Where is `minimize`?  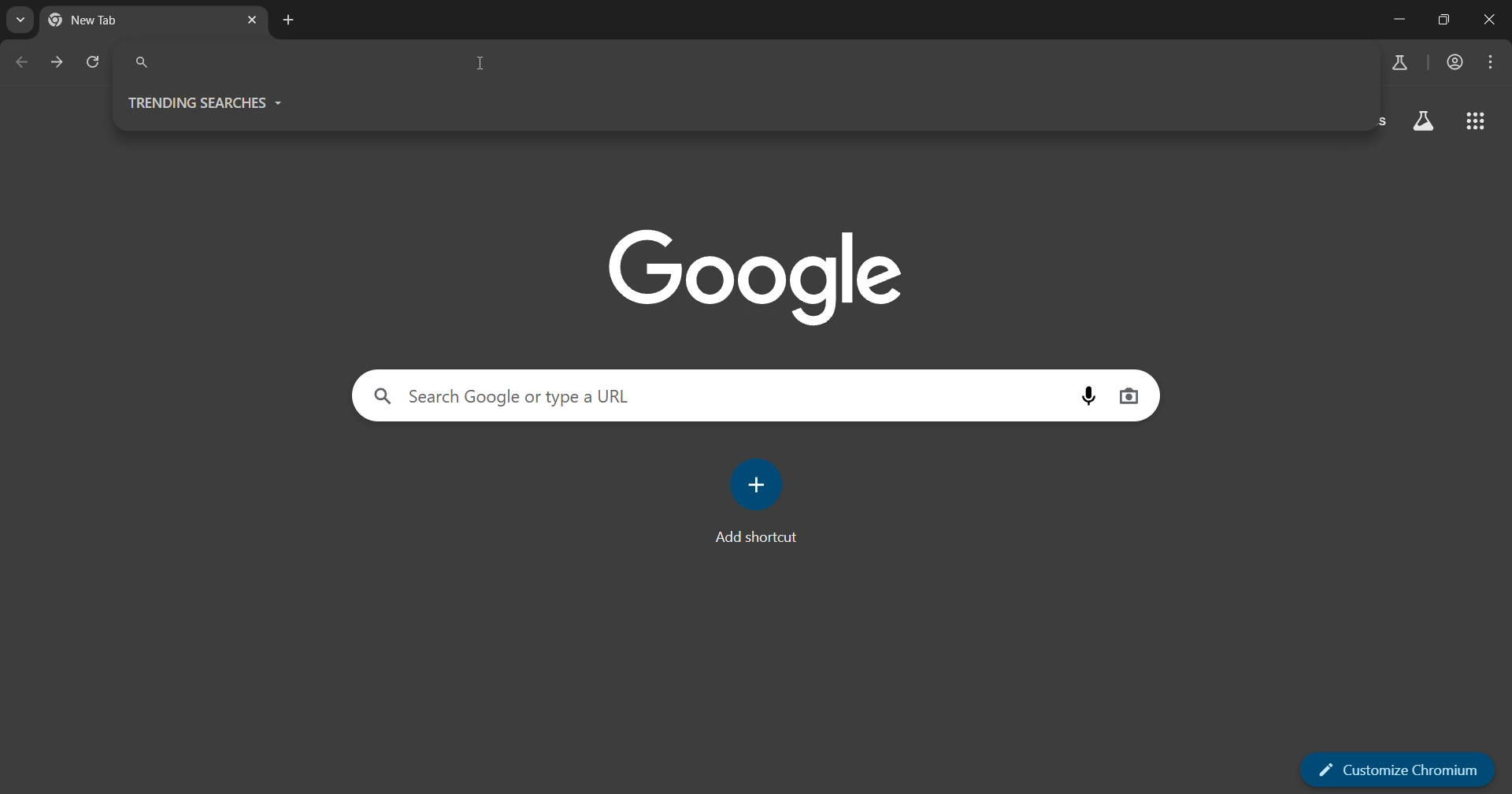 minimize is located at coordinates (1395, 20).